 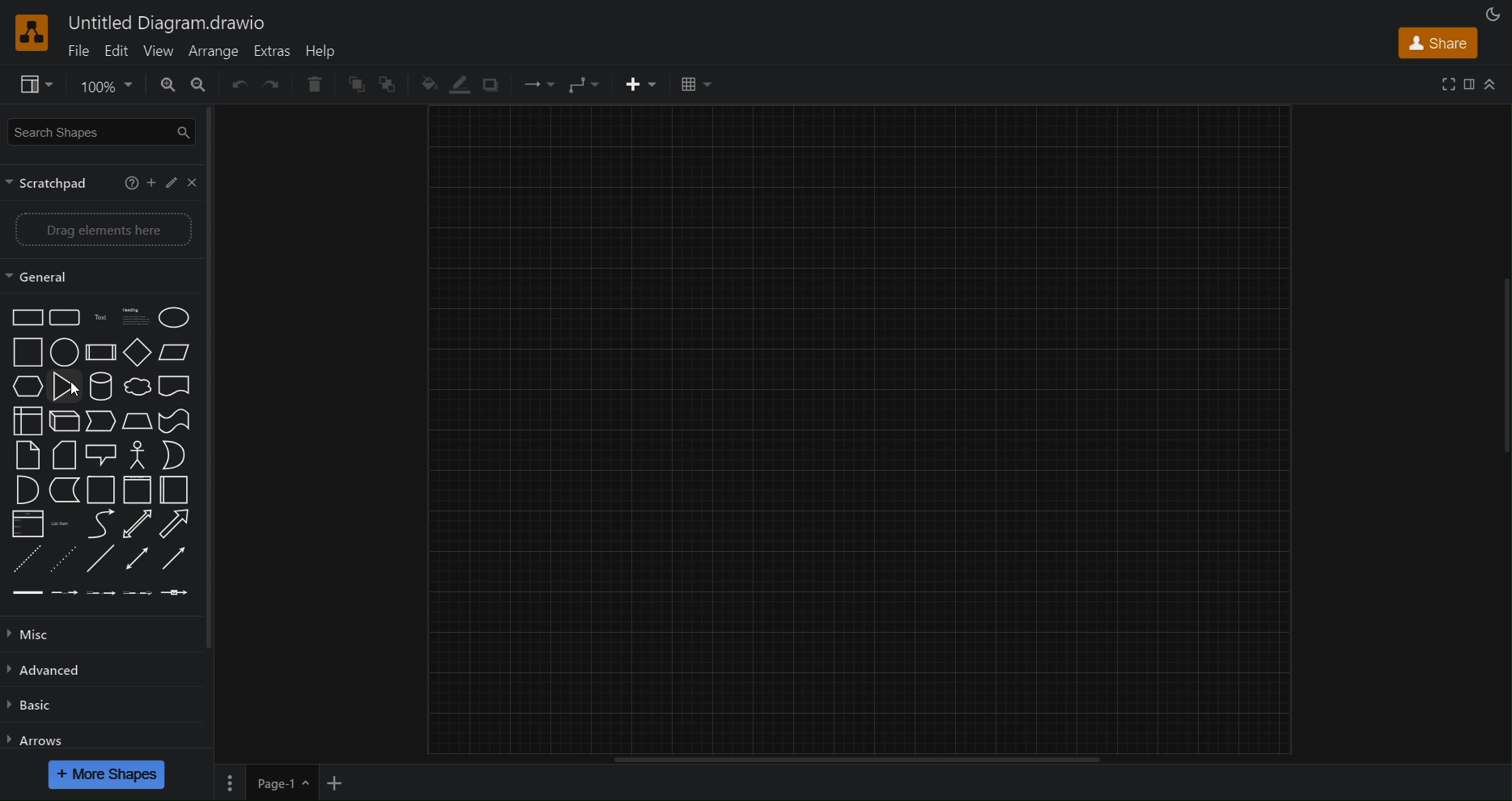 I want to click on General, so click(x=104, y=277).